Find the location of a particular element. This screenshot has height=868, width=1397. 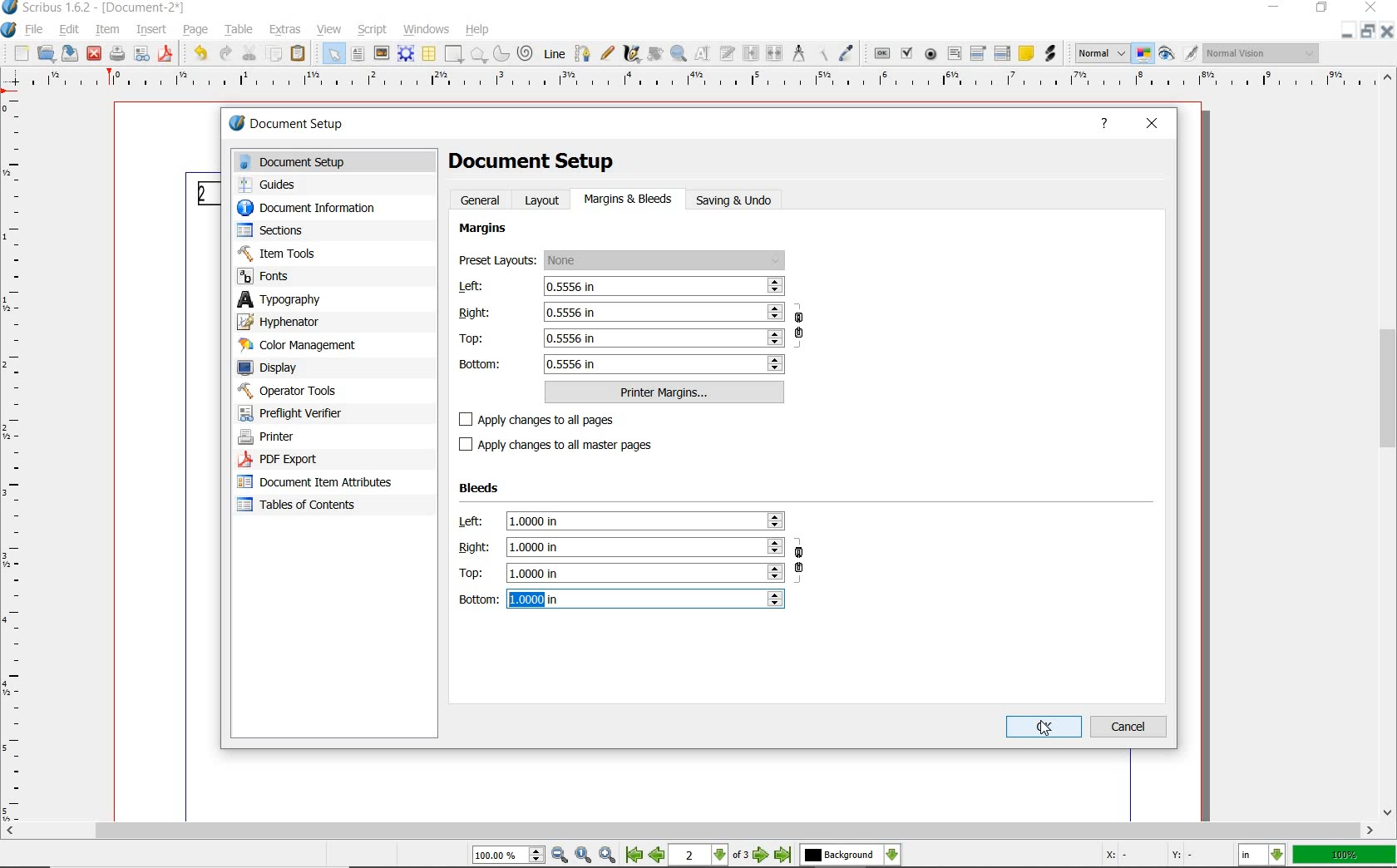

copy item properties is located at coordinates (823, 55).